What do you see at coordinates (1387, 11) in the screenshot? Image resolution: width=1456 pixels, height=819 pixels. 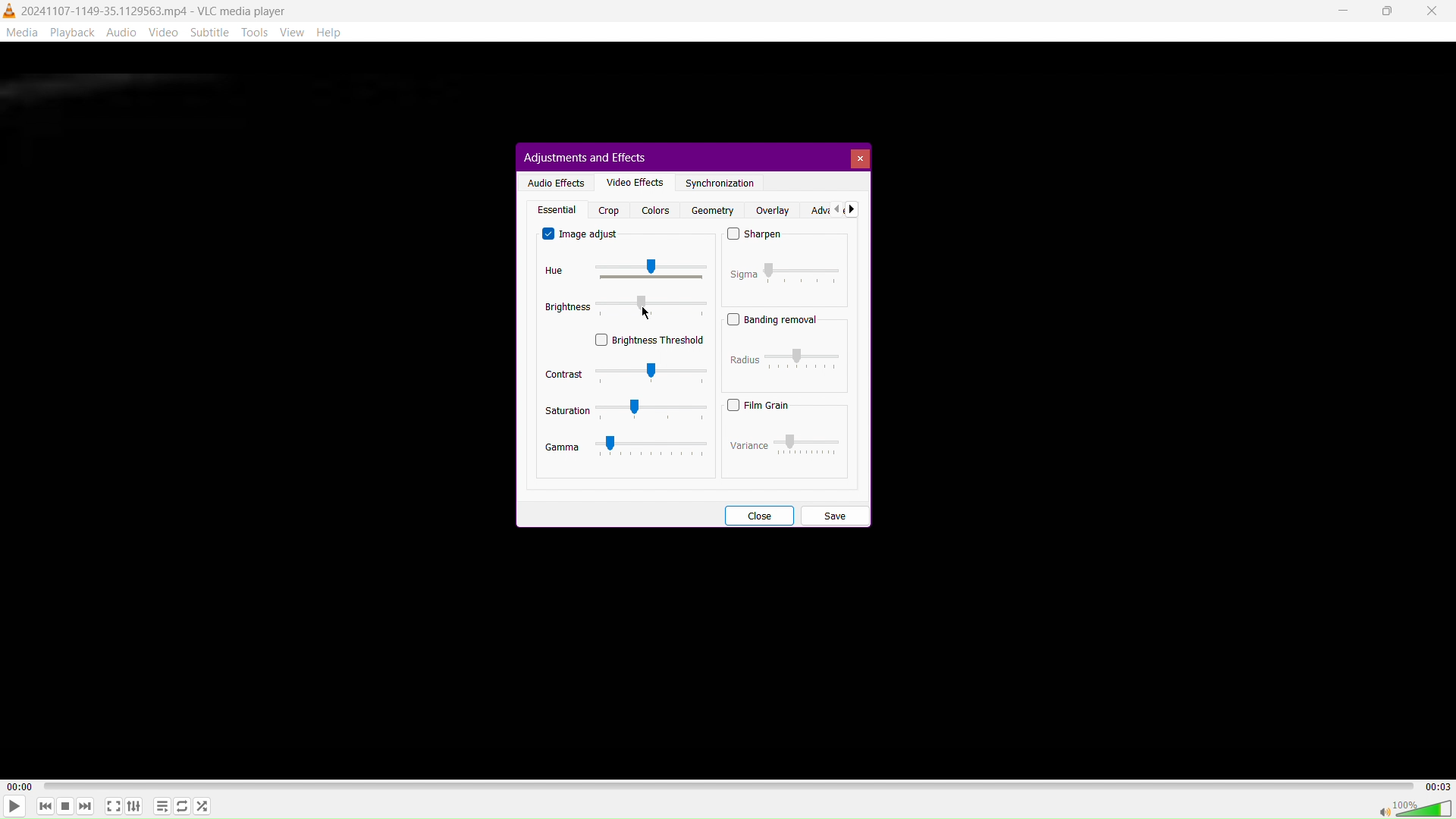 I see `Maximize` at bounding box center [1387, 11].